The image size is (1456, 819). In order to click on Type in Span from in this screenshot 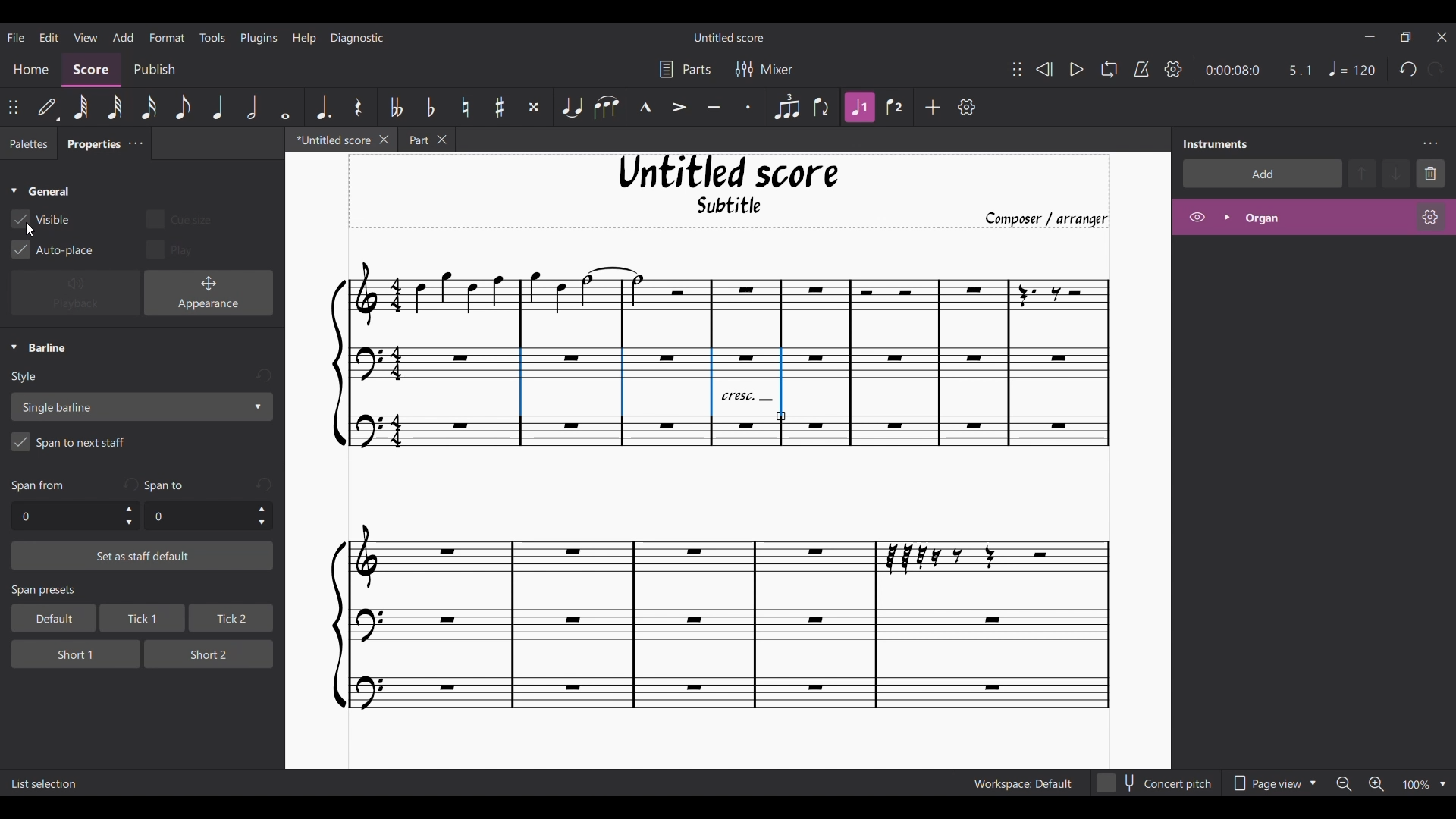, I will do `click(64, 516)`.